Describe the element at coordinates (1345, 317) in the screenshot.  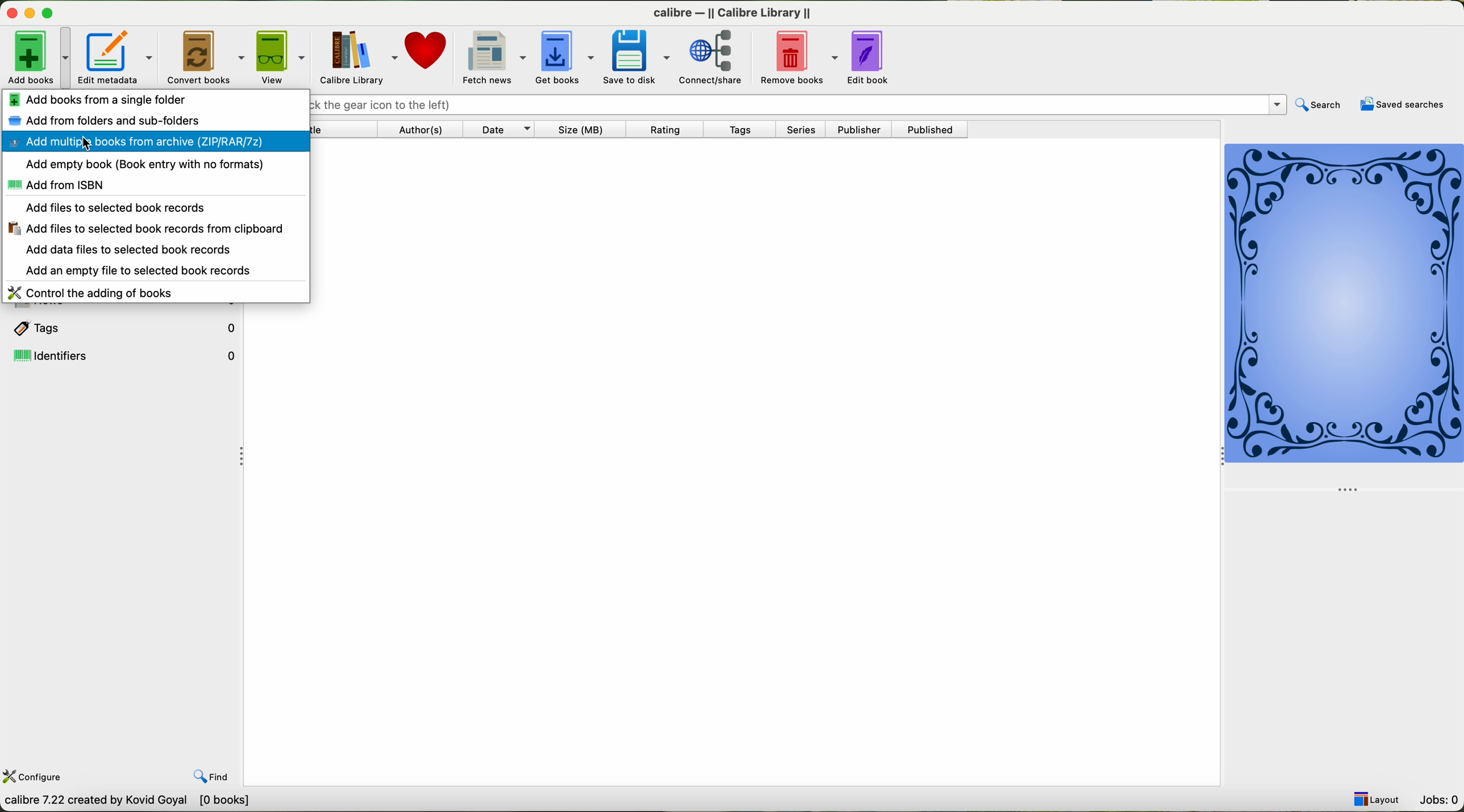
I see `cover book preview` at that location.